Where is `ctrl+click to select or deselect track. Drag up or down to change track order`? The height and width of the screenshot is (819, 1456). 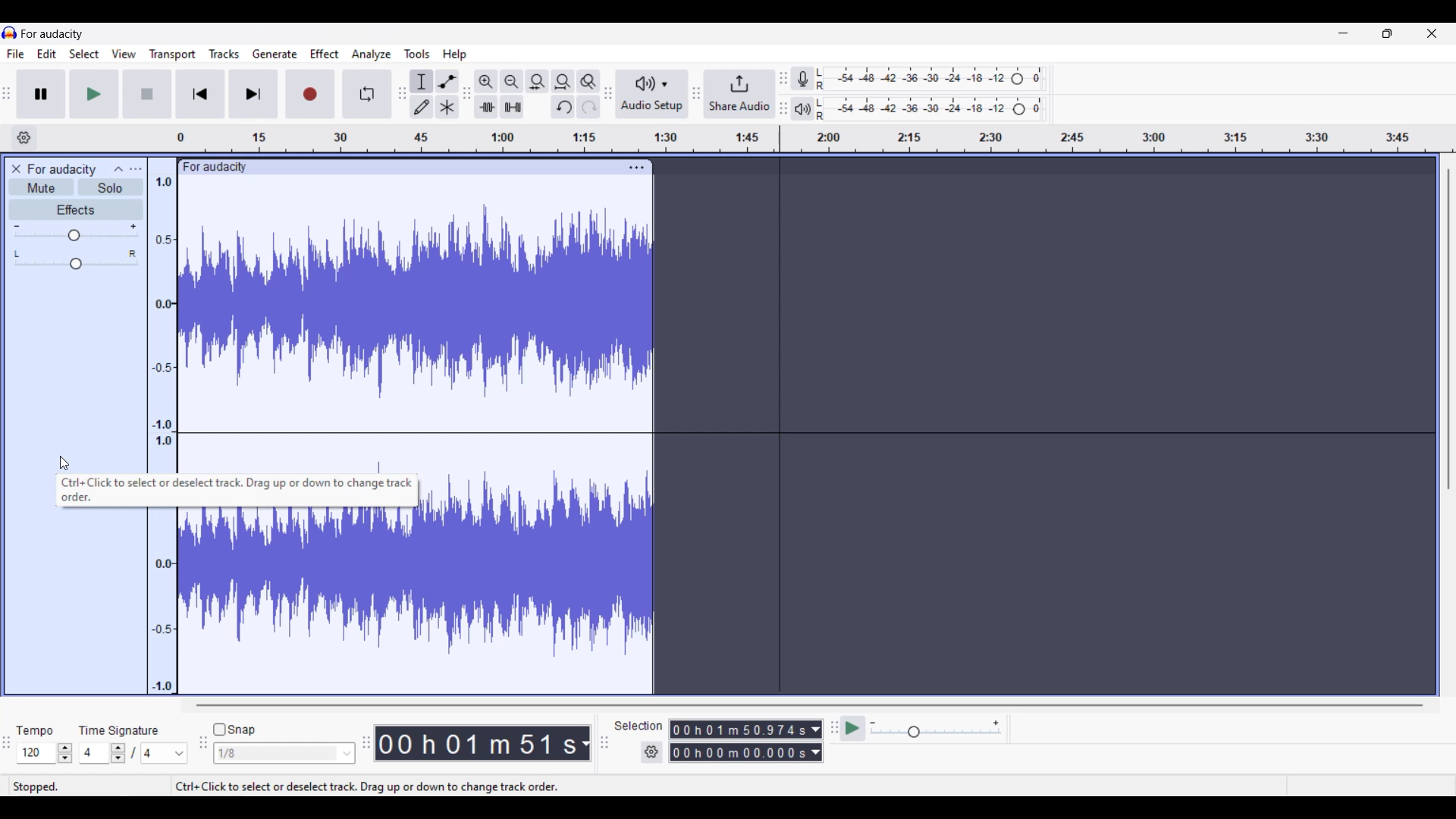
ctrl+click to select or deselect track. Drag up or down to change track order is located at coordinates (235, 491).